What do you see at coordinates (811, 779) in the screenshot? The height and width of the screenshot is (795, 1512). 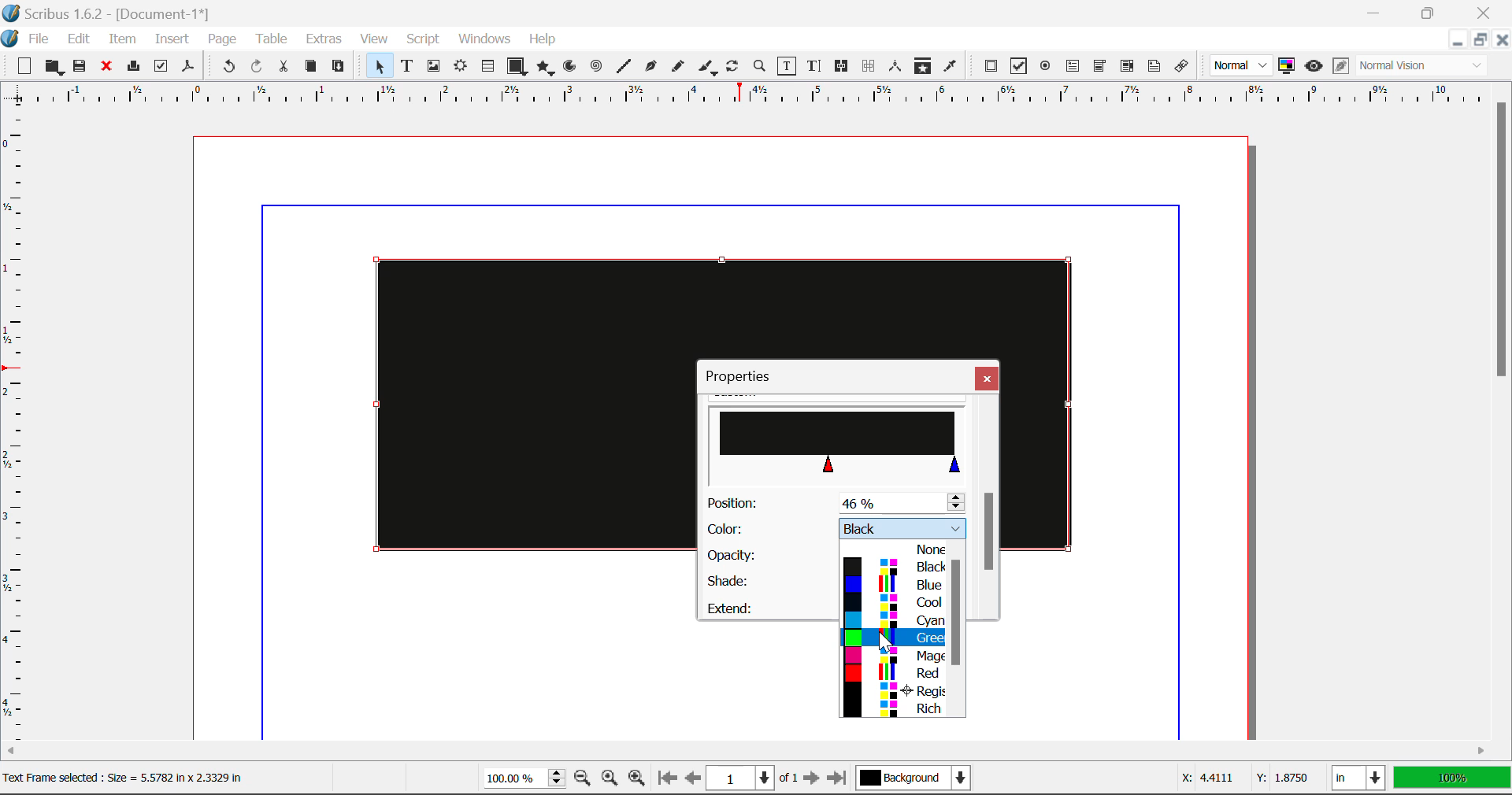 I see `Next Page` at bounding box center [811, 779].